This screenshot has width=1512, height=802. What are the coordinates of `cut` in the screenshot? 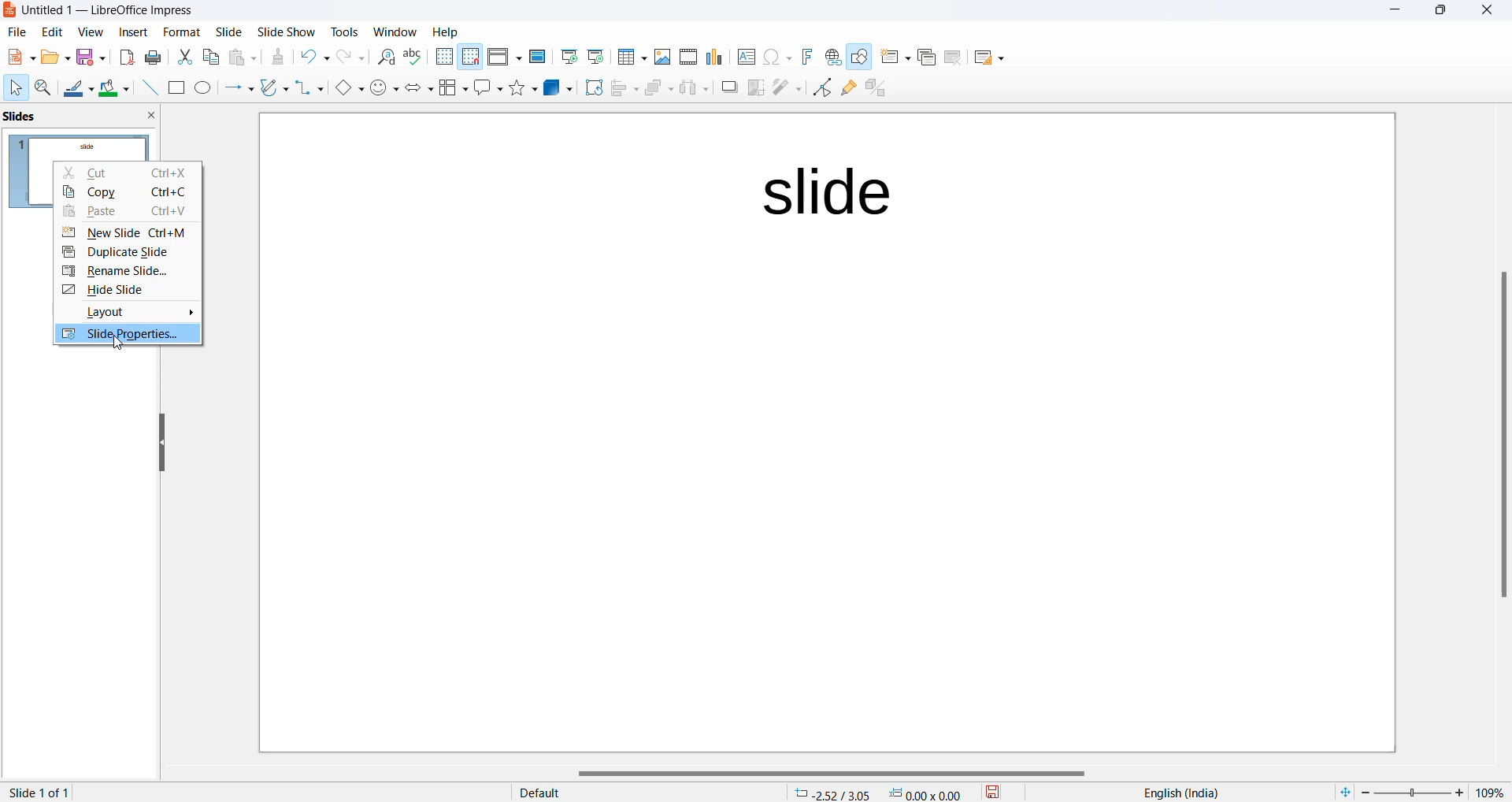 It's located at (129, 173).